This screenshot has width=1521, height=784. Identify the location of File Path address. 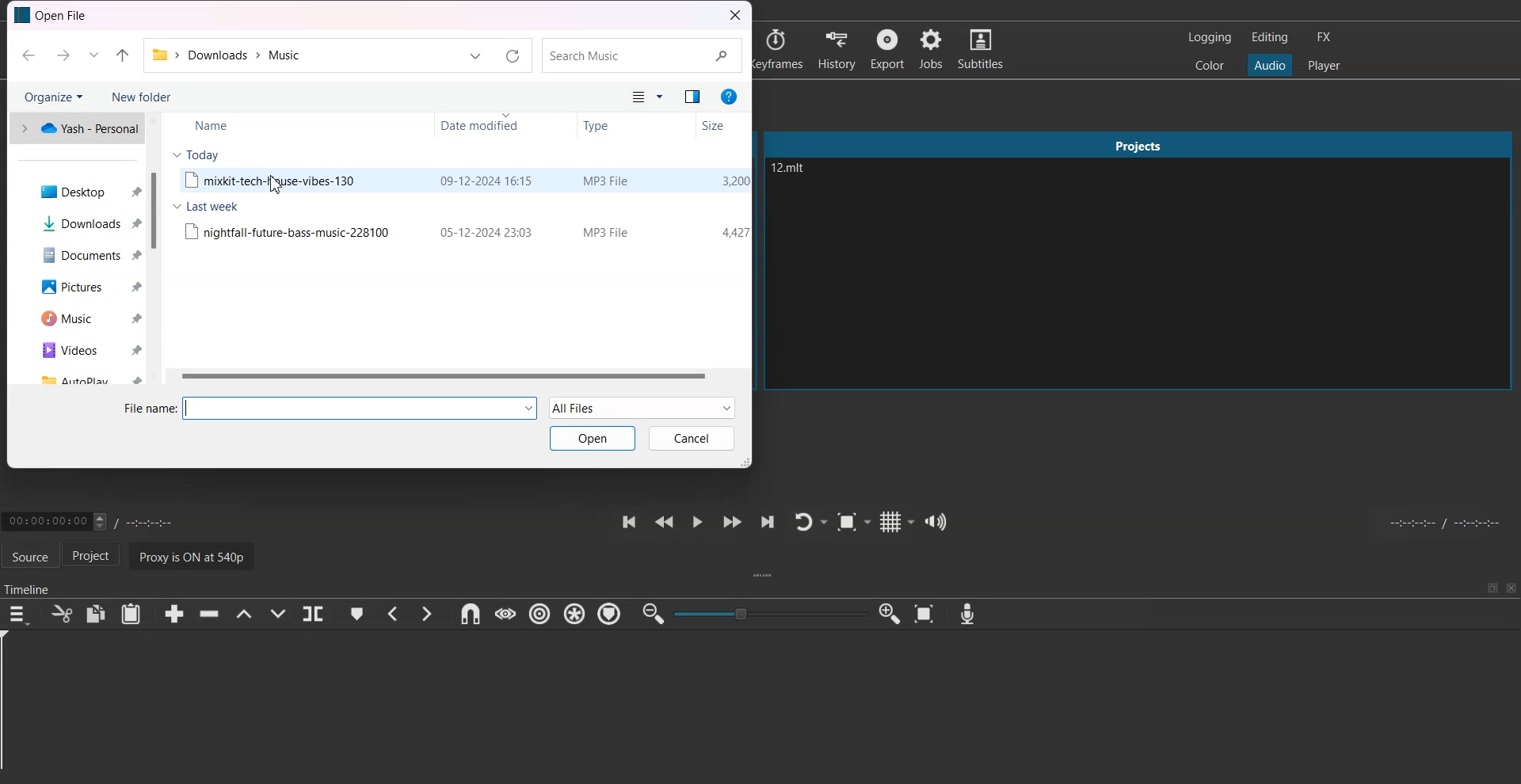
(231, 55).